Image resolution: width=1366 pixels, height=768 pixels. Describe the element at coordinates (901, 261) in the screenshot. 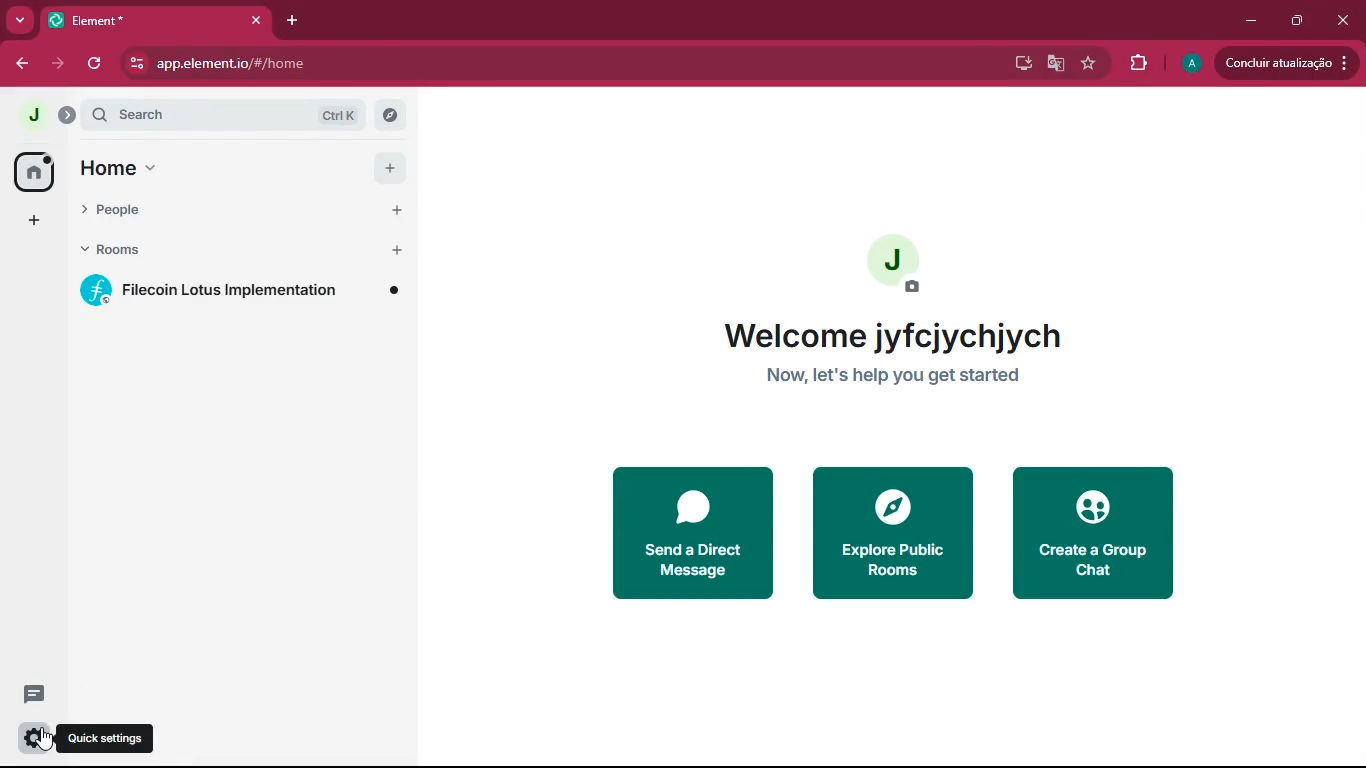

I see `profile picture` at that location.